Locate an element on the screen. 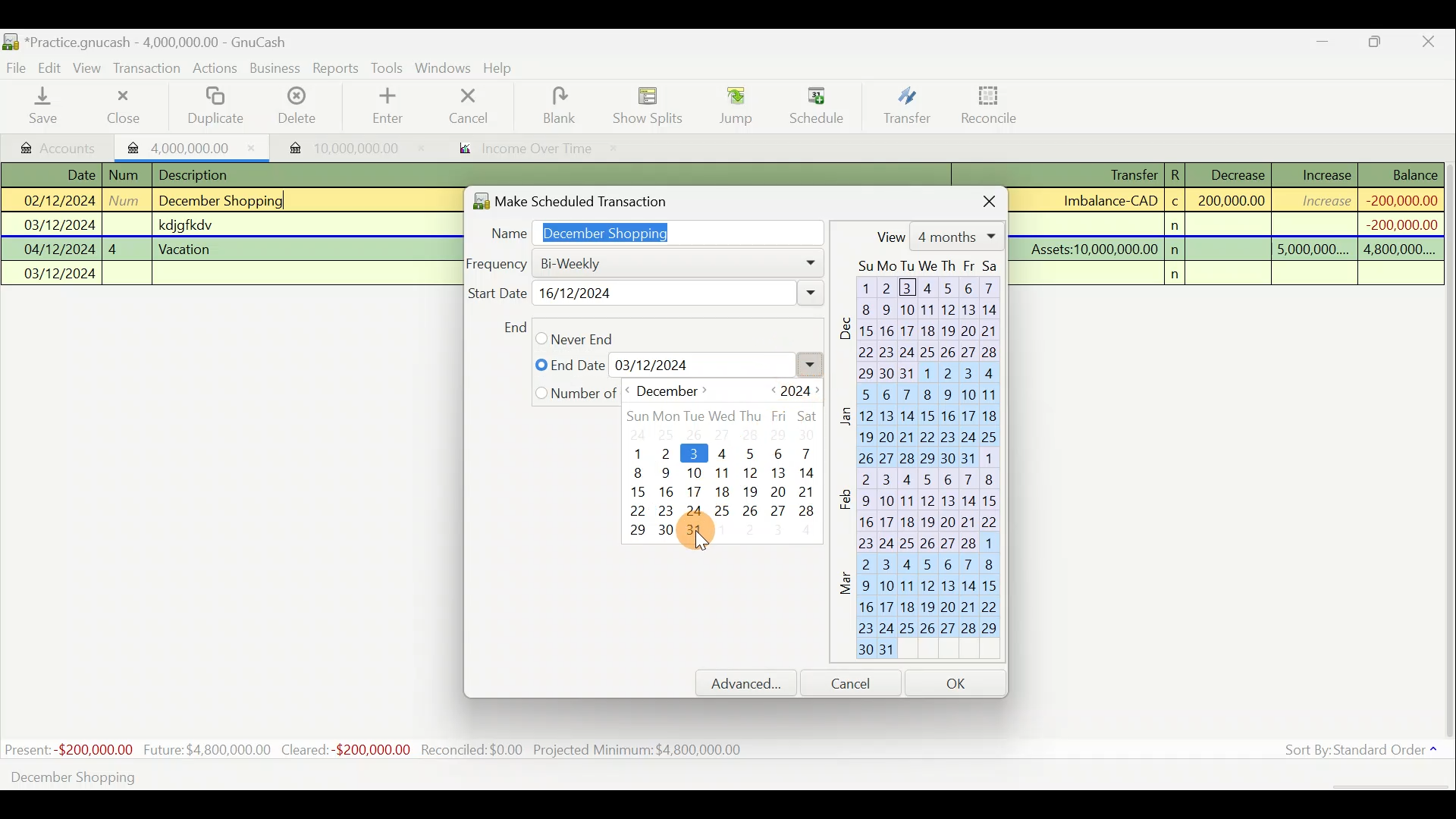  File is located at coordinates (17, 68).